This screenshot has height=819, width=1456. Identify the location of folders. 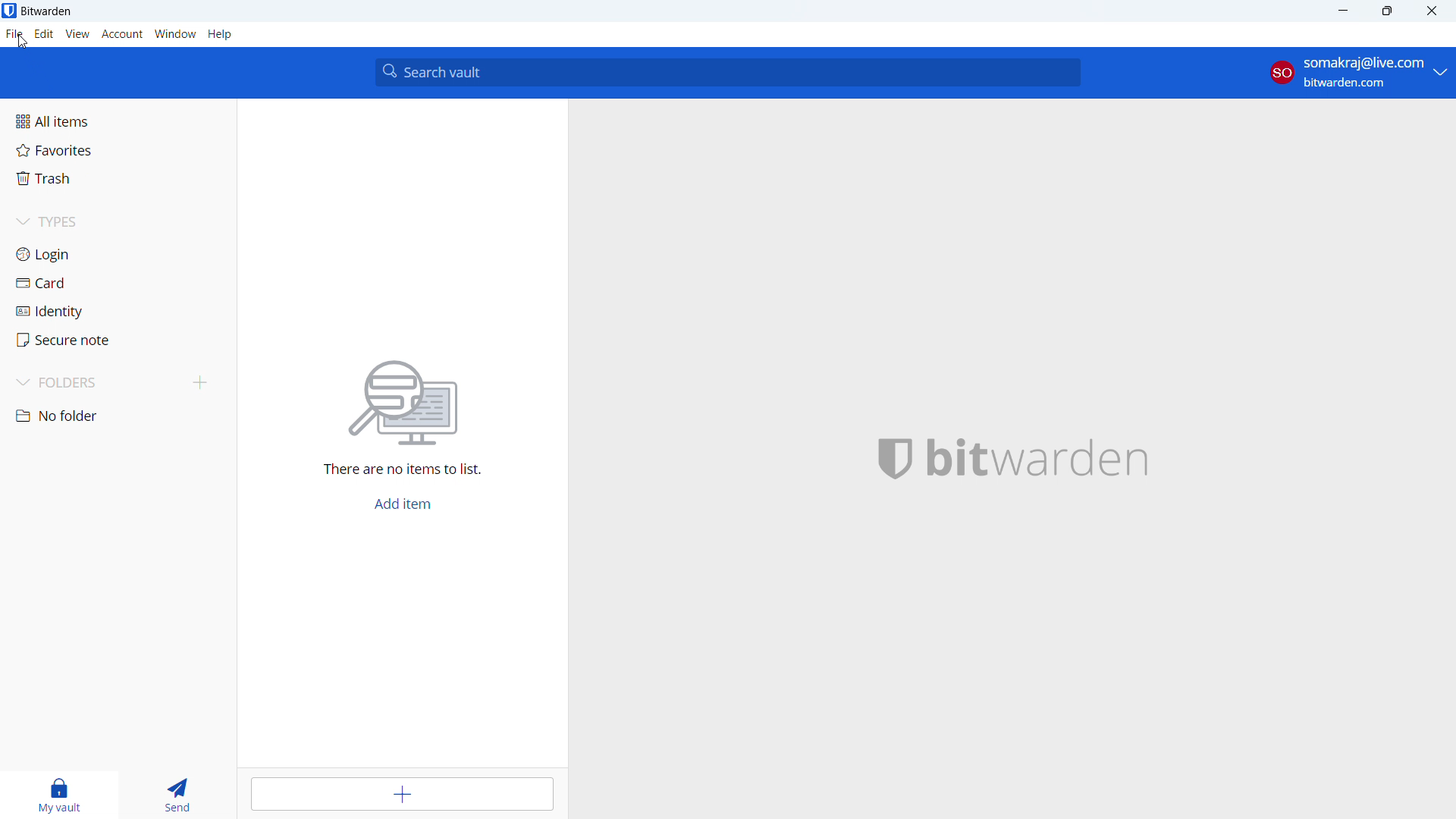
(94, 383).